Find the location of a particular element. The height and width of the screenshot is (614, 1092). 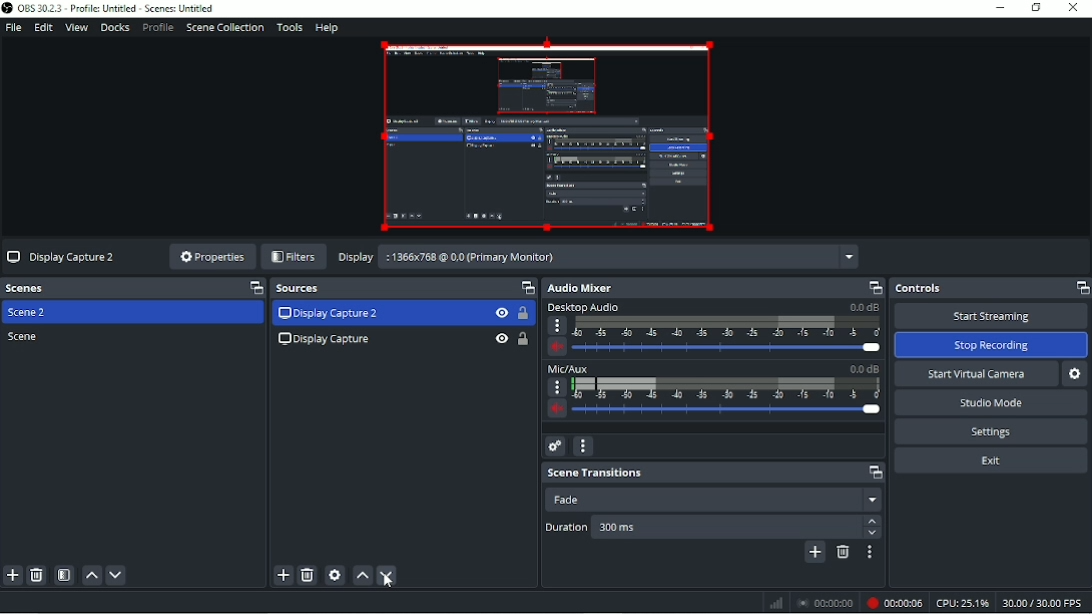

Sources is located at coordinates (403, 289).